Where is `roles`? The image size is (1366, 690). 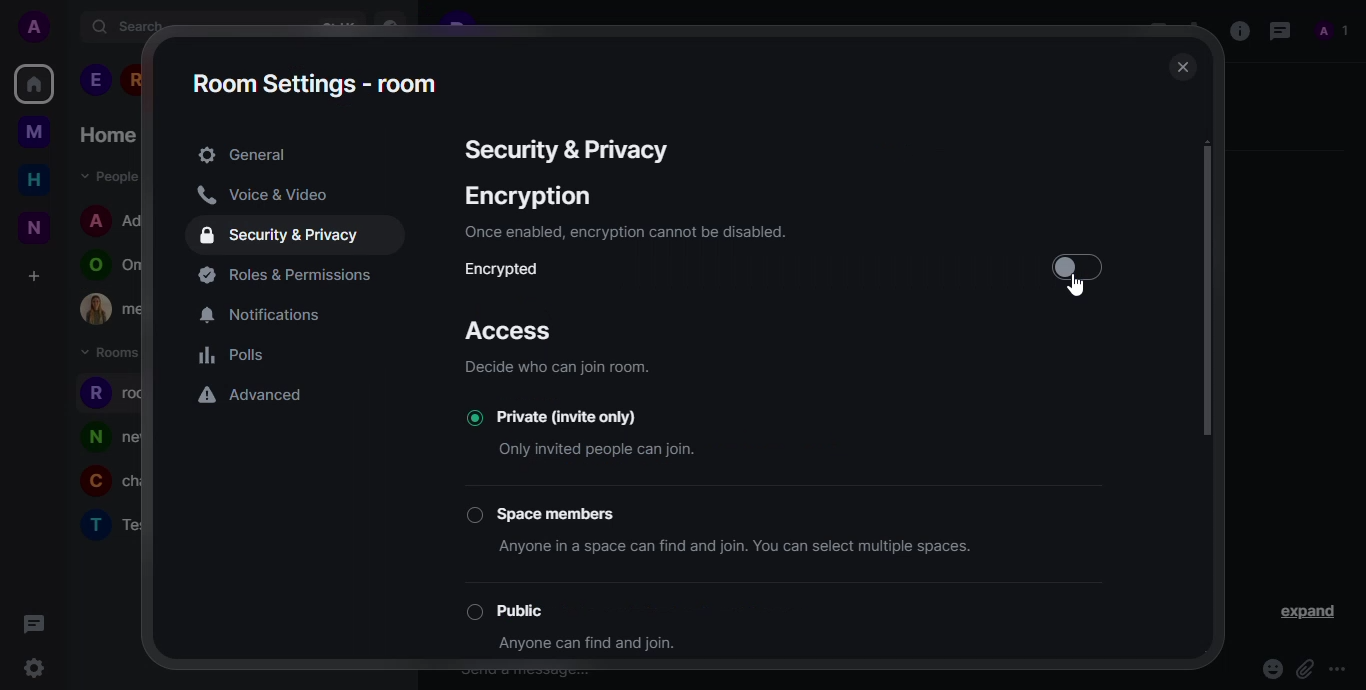
roles is located at coordinates (290, 275).